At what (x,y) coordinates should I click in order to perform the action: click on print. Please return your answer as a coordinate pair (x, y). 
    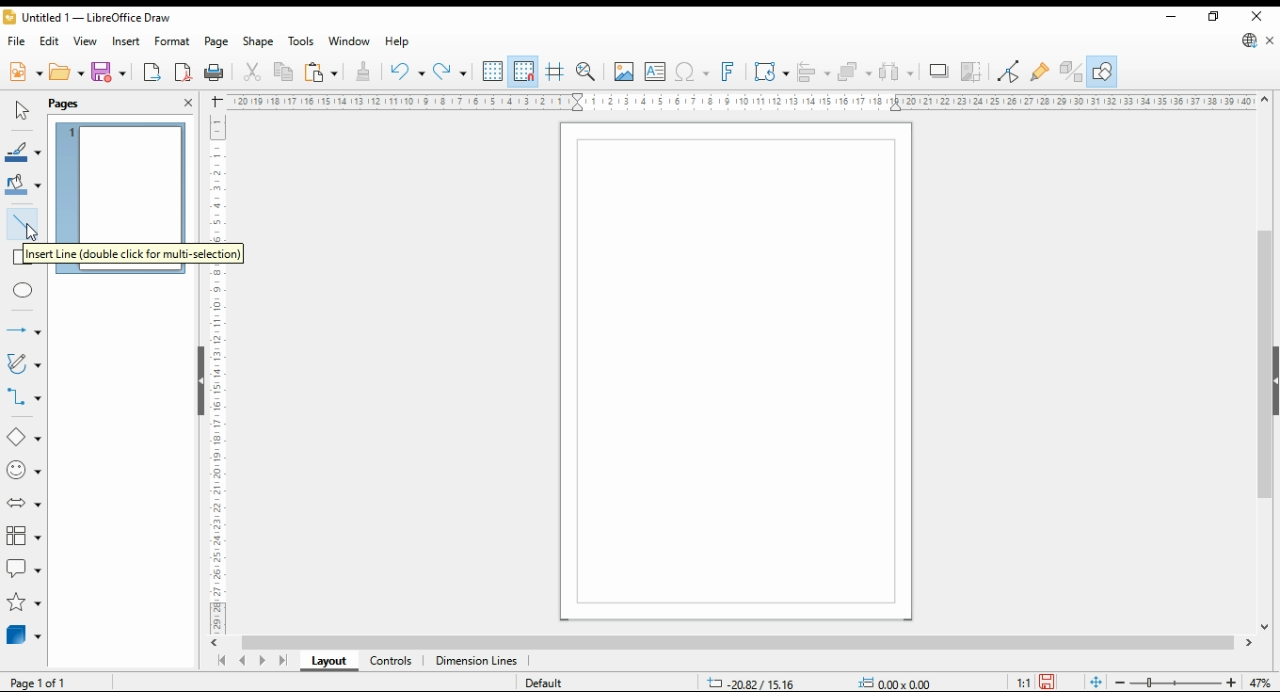
    Looking at the image, I should click on (214, 73).